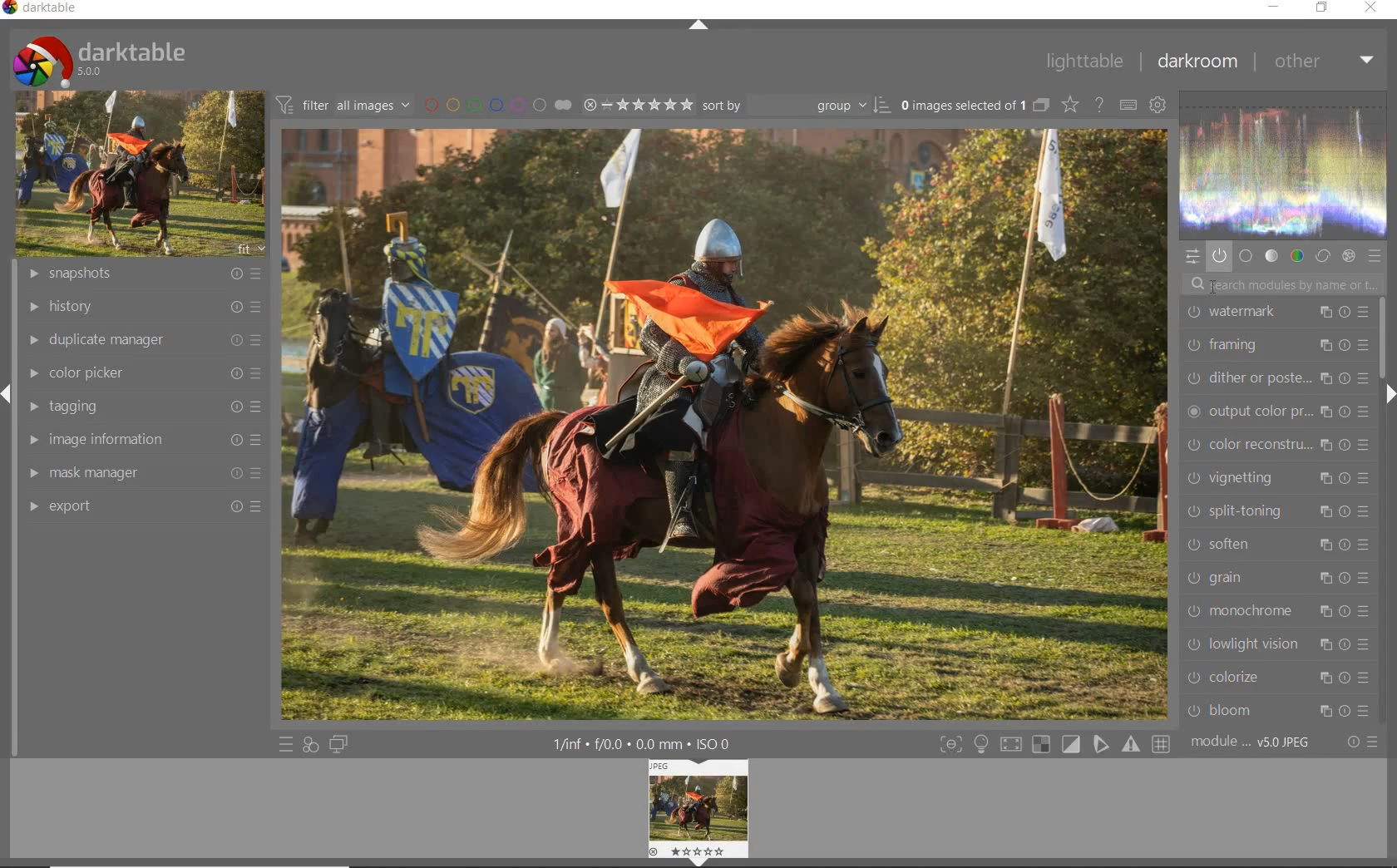 Image resolution: width=1397 pixels, height=868 pixels. What do you see at coordinates (1325, 62) in the screenshot?
I see `other` at bounding box center [1325, 62].